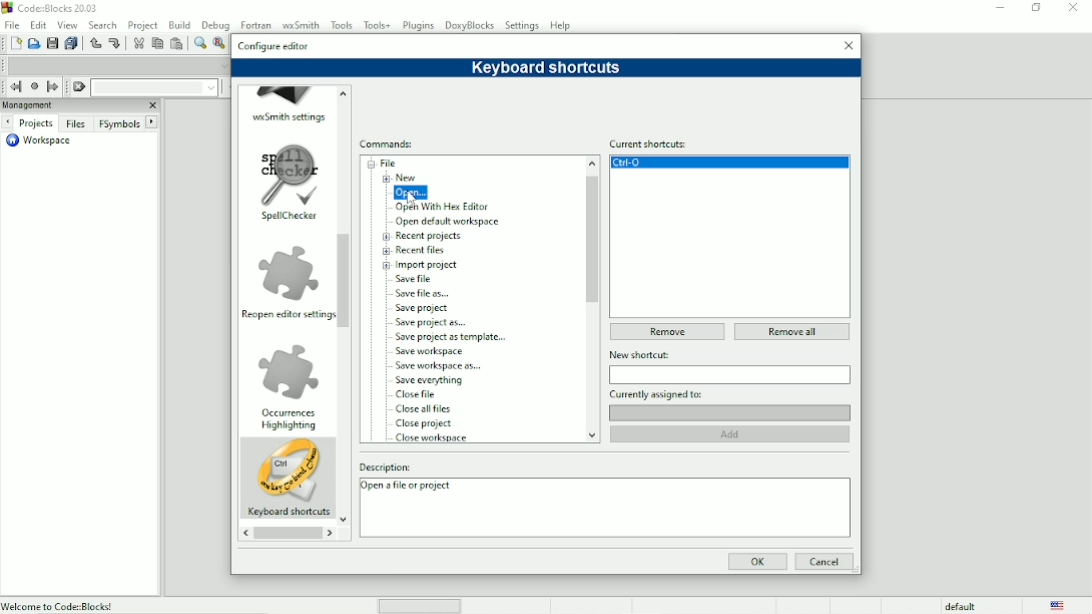 The image size is (1092, 614). What do you see at coordinates (255, 23) in the screenshot?
I see `Fortran` at bounding box center [255, 23].